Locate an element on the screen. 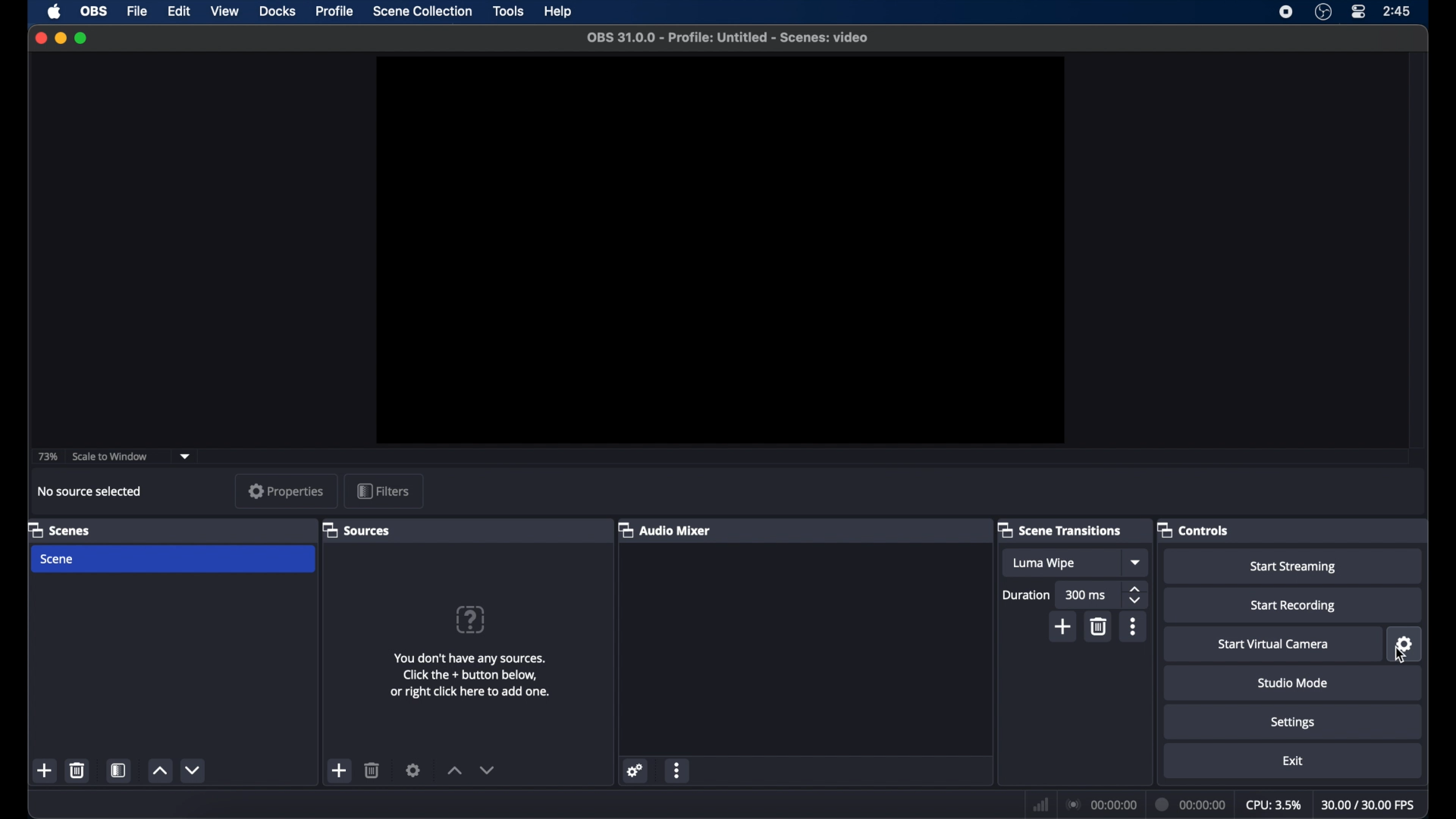 The width and height of the screenshot is (1456, 819). delete is located at coordinates (78, 770).